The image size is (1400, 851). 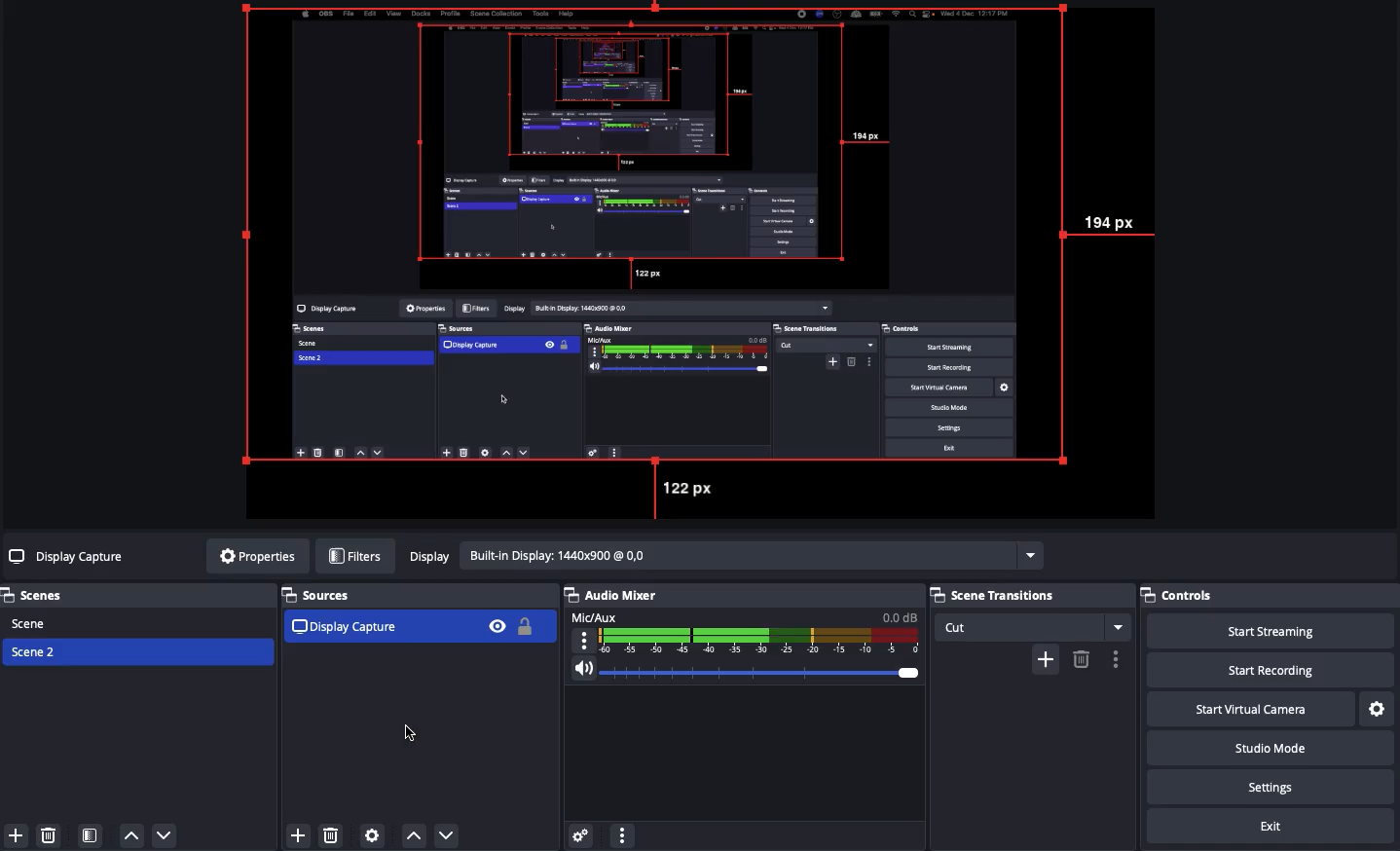 What do you see at coordinates (257, 555) in the screenshot?
I see `Properties` at bounding box center [257, 555].